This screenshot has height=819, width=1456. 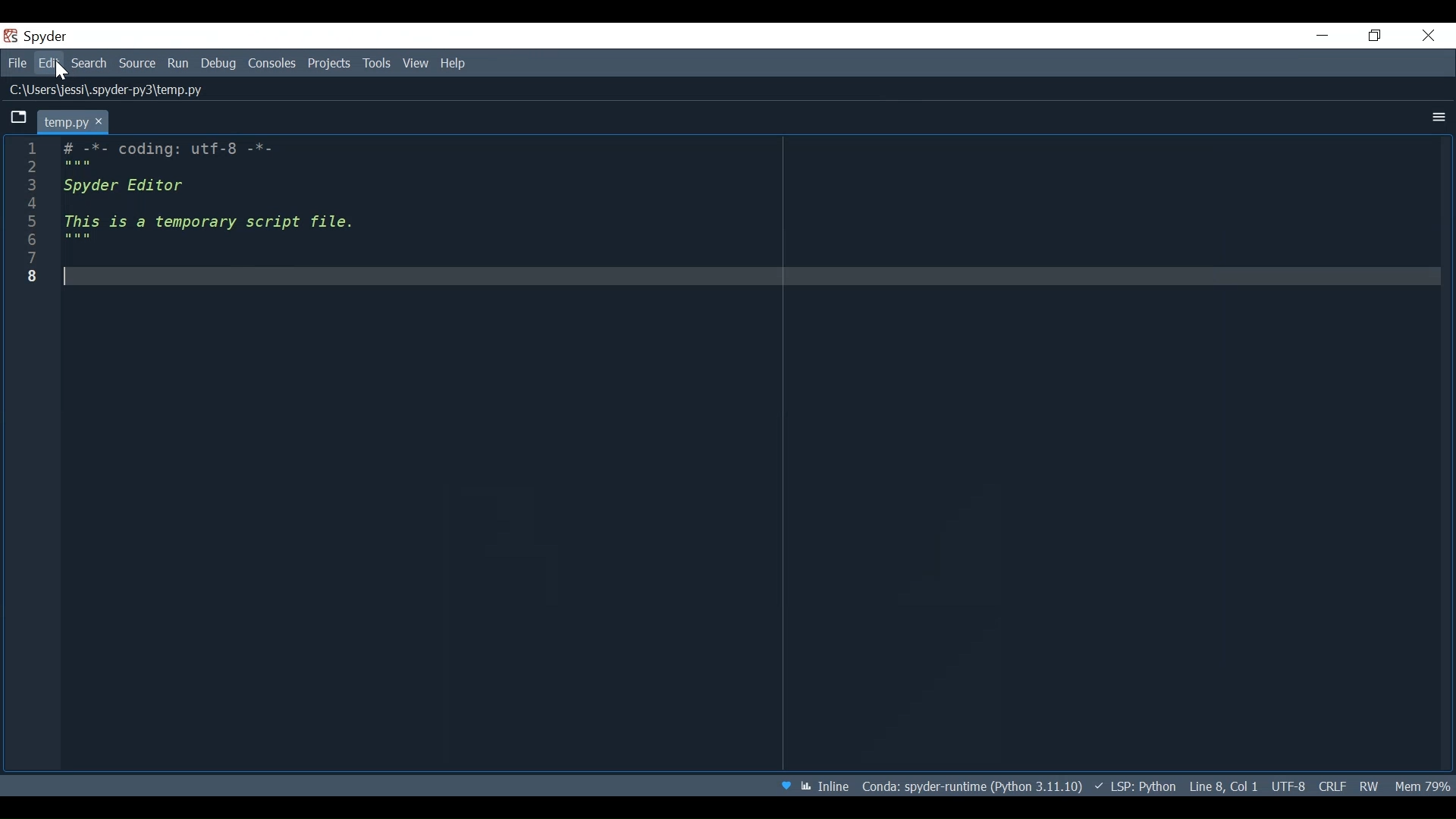 What do you see at coordinates (458, 64) in the screenshot?
I see `Help` at bounding box center [458, 64].